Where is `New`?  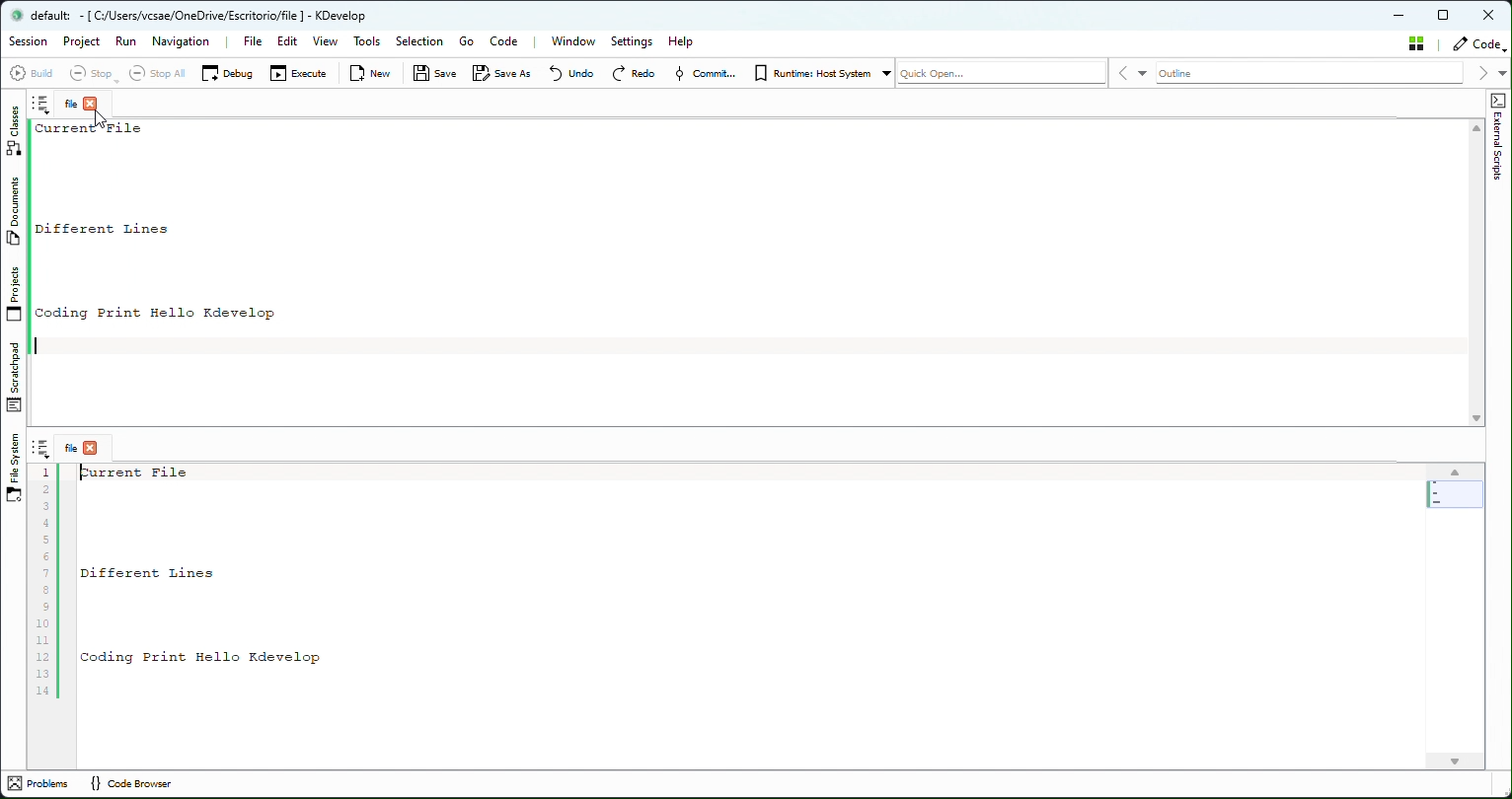
New is located at coordinates (374, 74).